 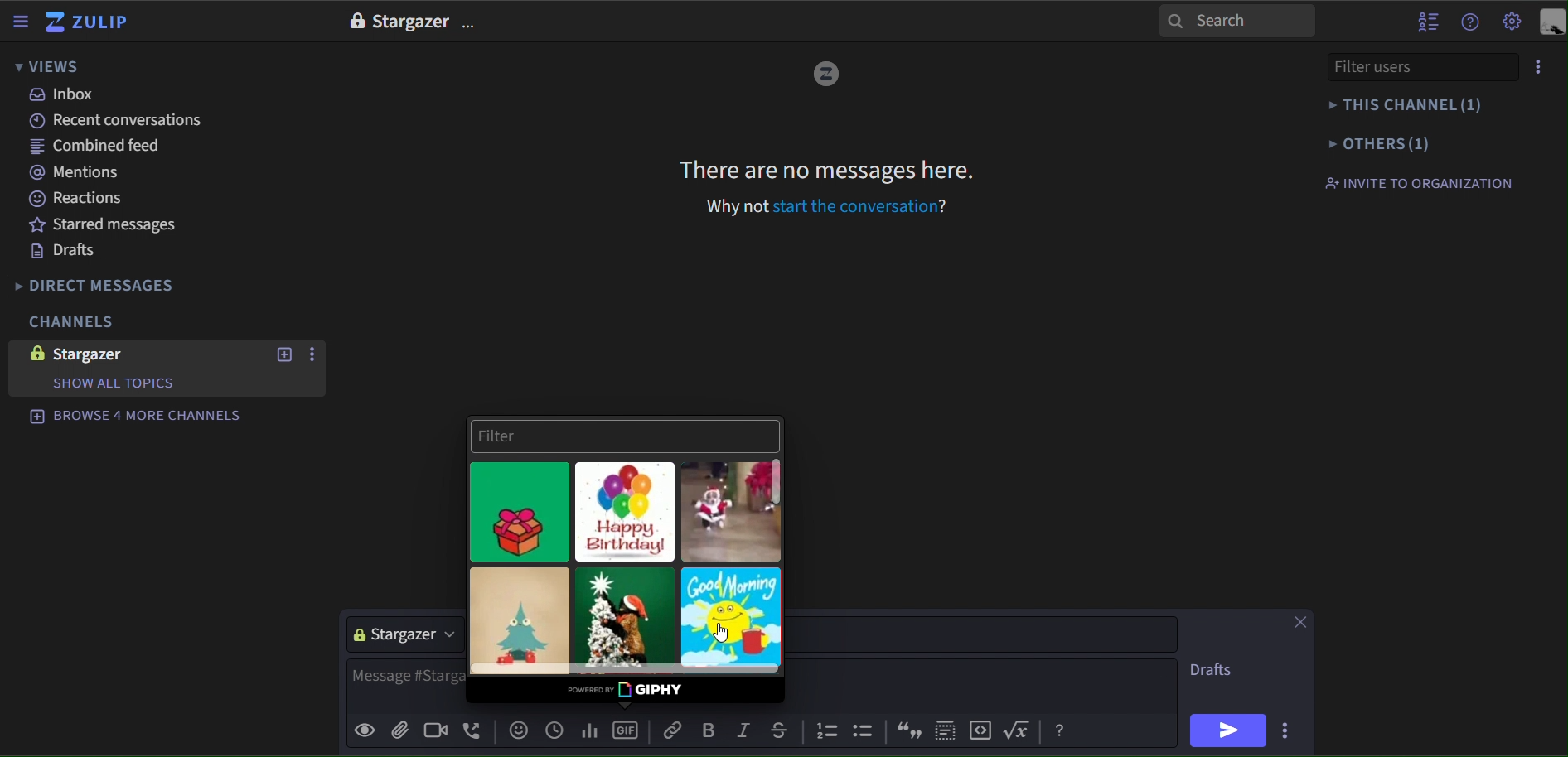 What do you see at coordinates (404, 677) in the screenshot?
I see `message #Stargazer` at bounding box center [404, 677].